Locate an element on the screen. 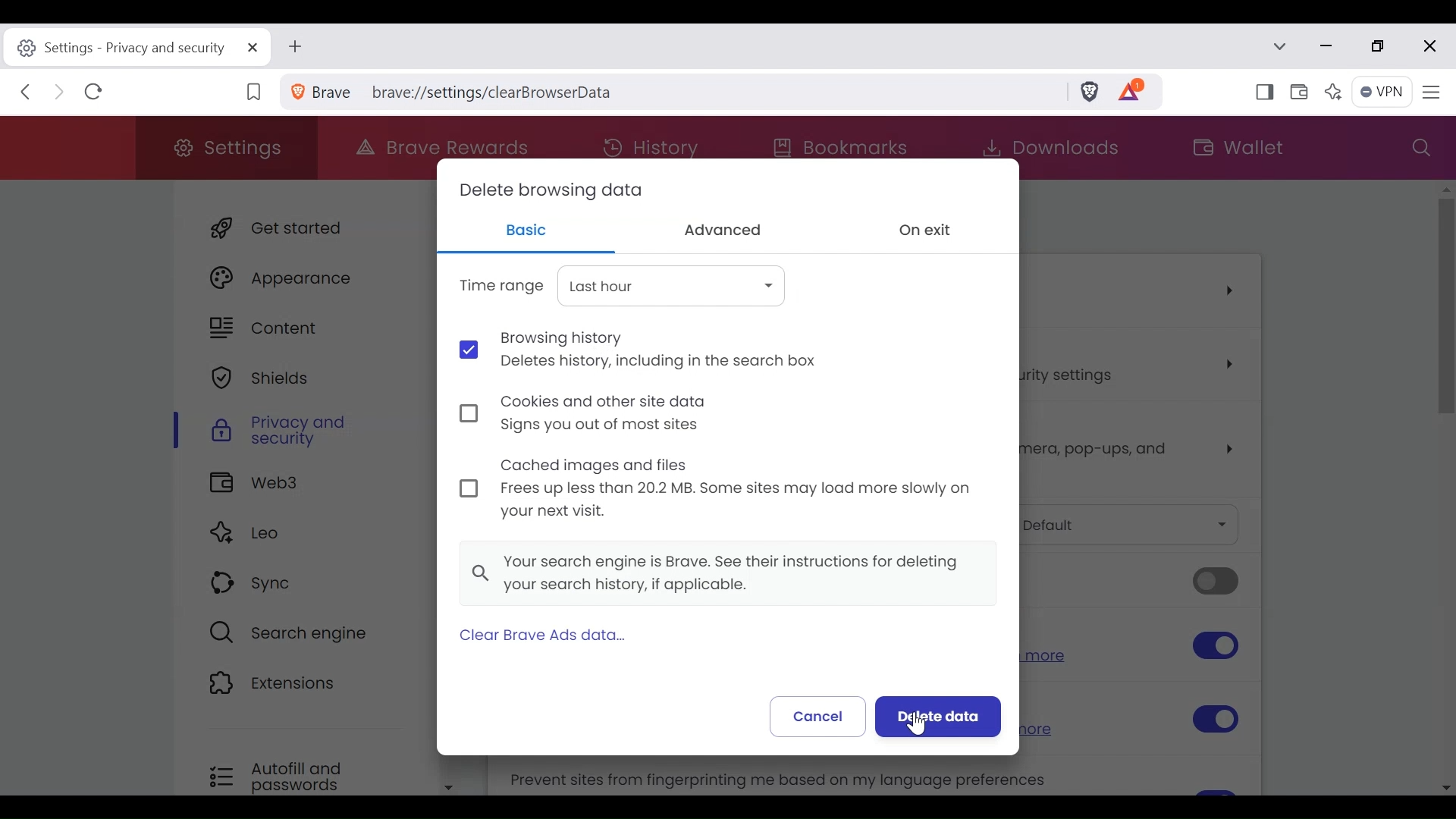  close is located at coordinates (1429, 48).